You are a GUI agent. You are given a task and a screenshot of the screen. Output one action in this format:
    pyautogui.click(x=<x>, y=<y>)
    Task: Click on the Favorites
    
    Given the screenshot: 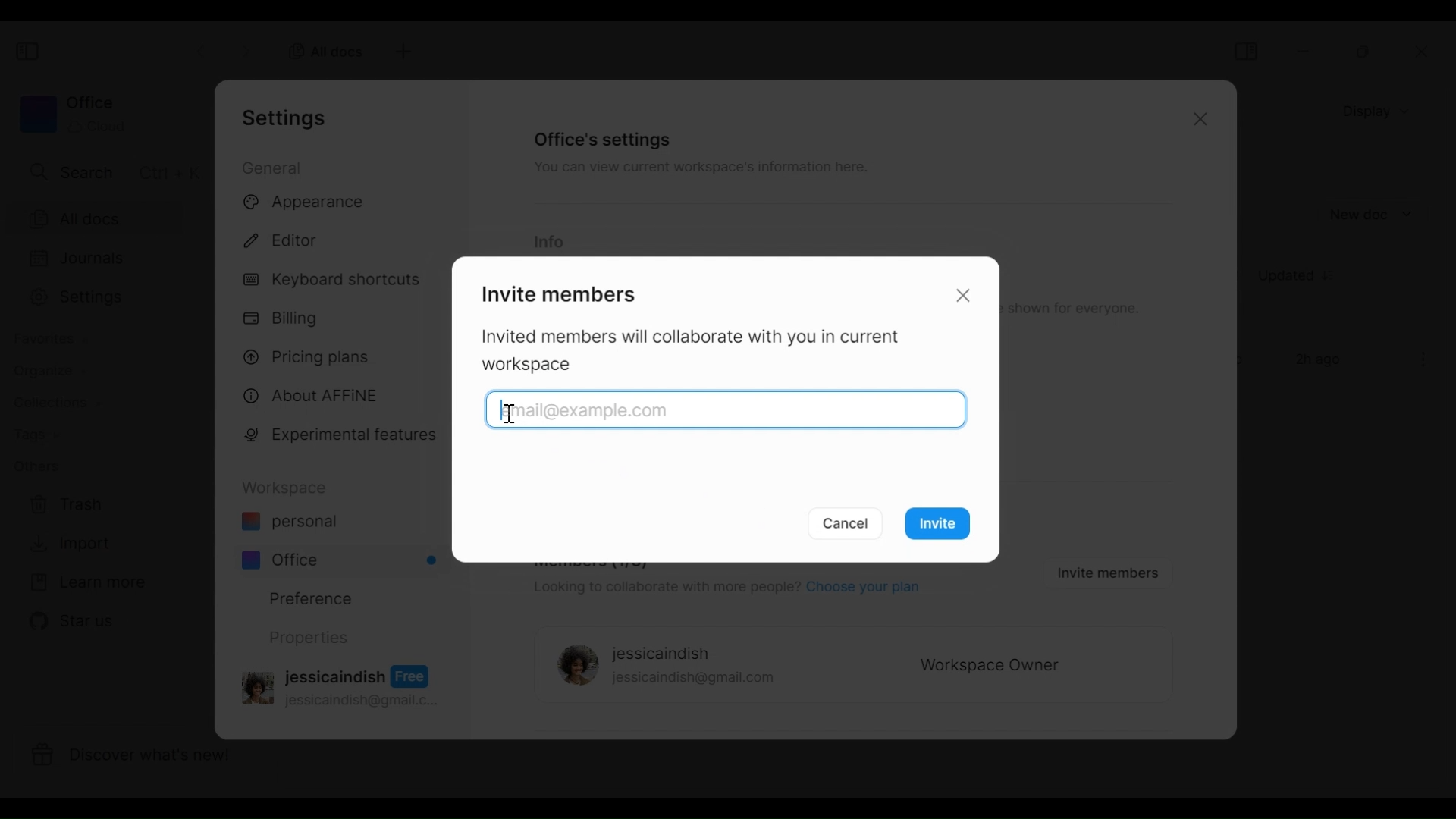 What is the action you would take?
    pyautogui.click(x=49, y=339)
    